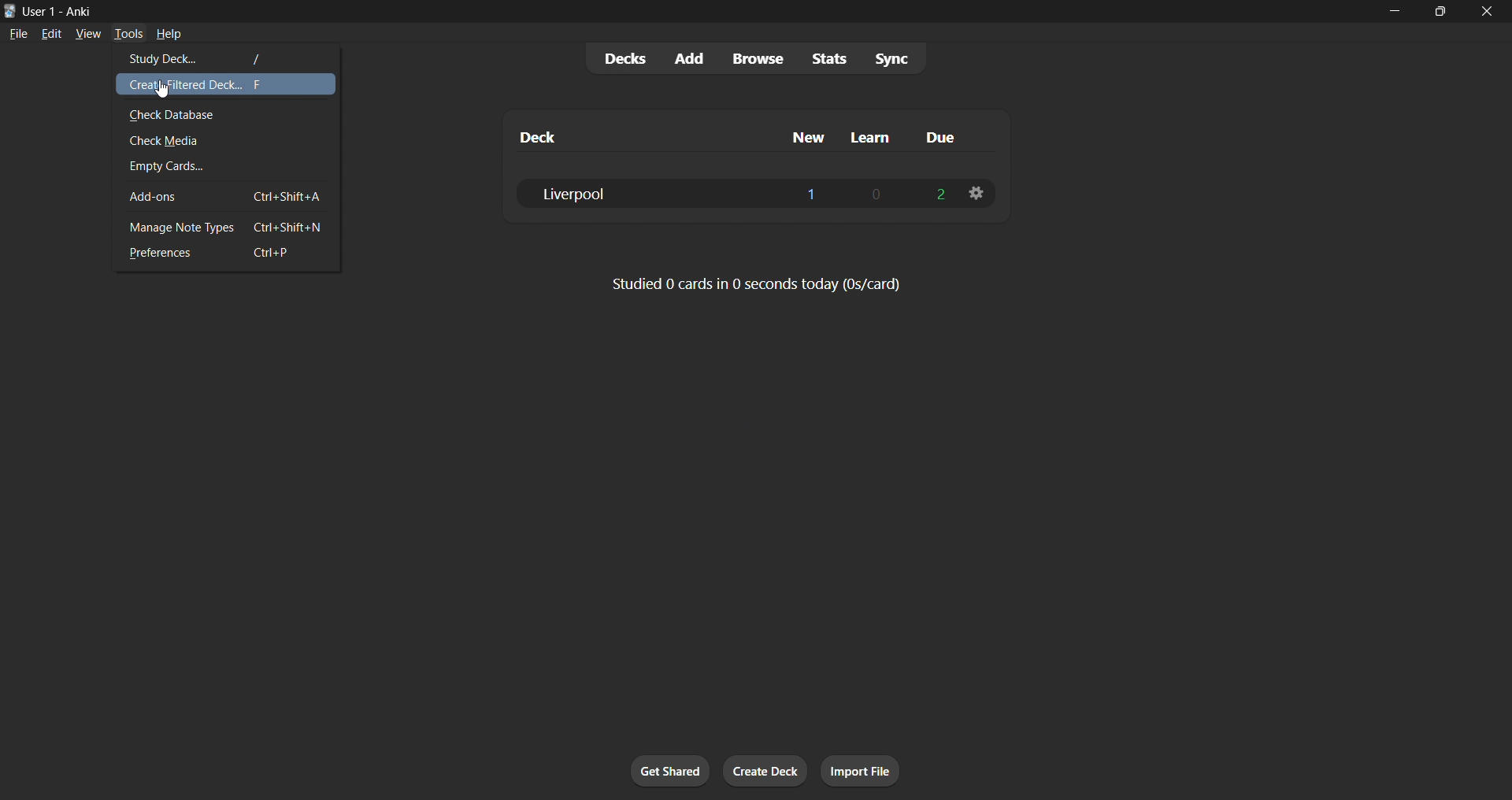  What do you see at coordinates (755, 58) in the screenshot?
I see `browse` at bounding box center [755, 58].